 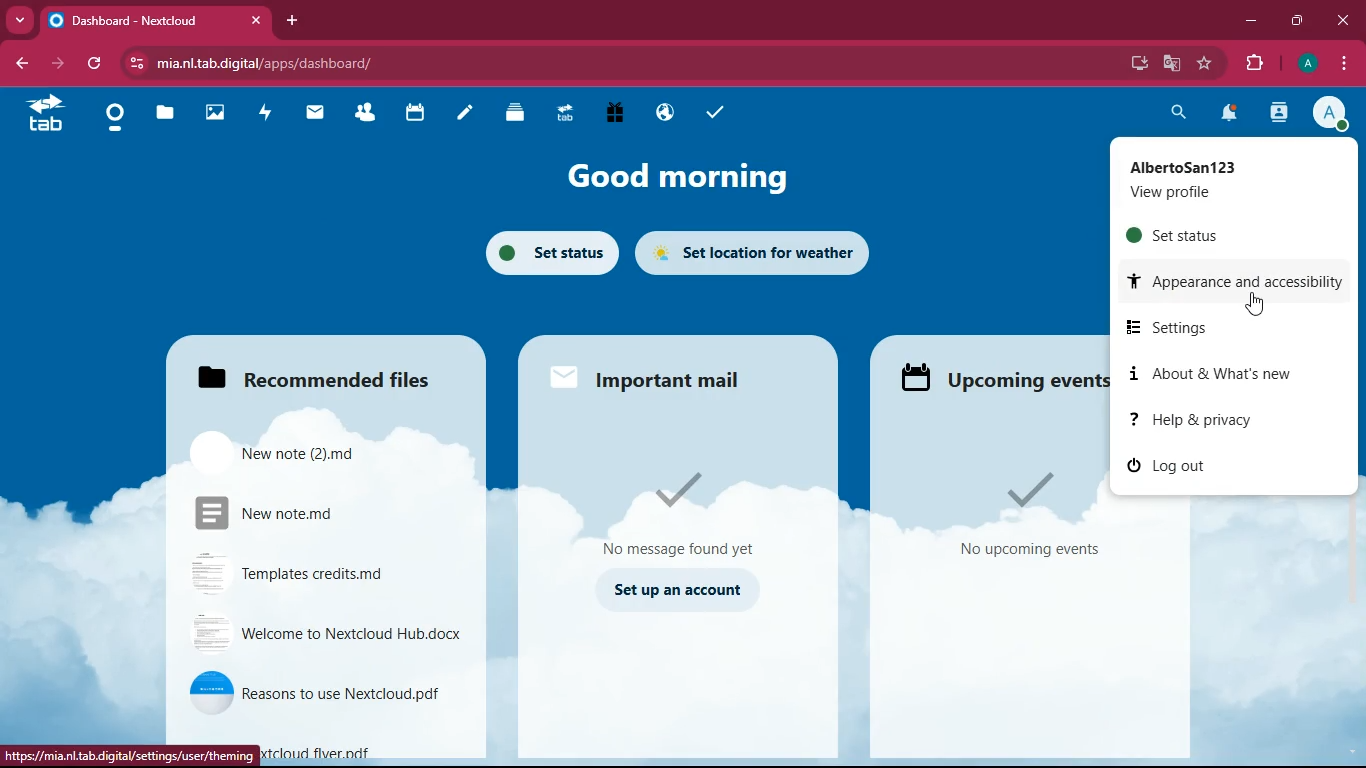 I want to click on file, so click(x=302, y=573).